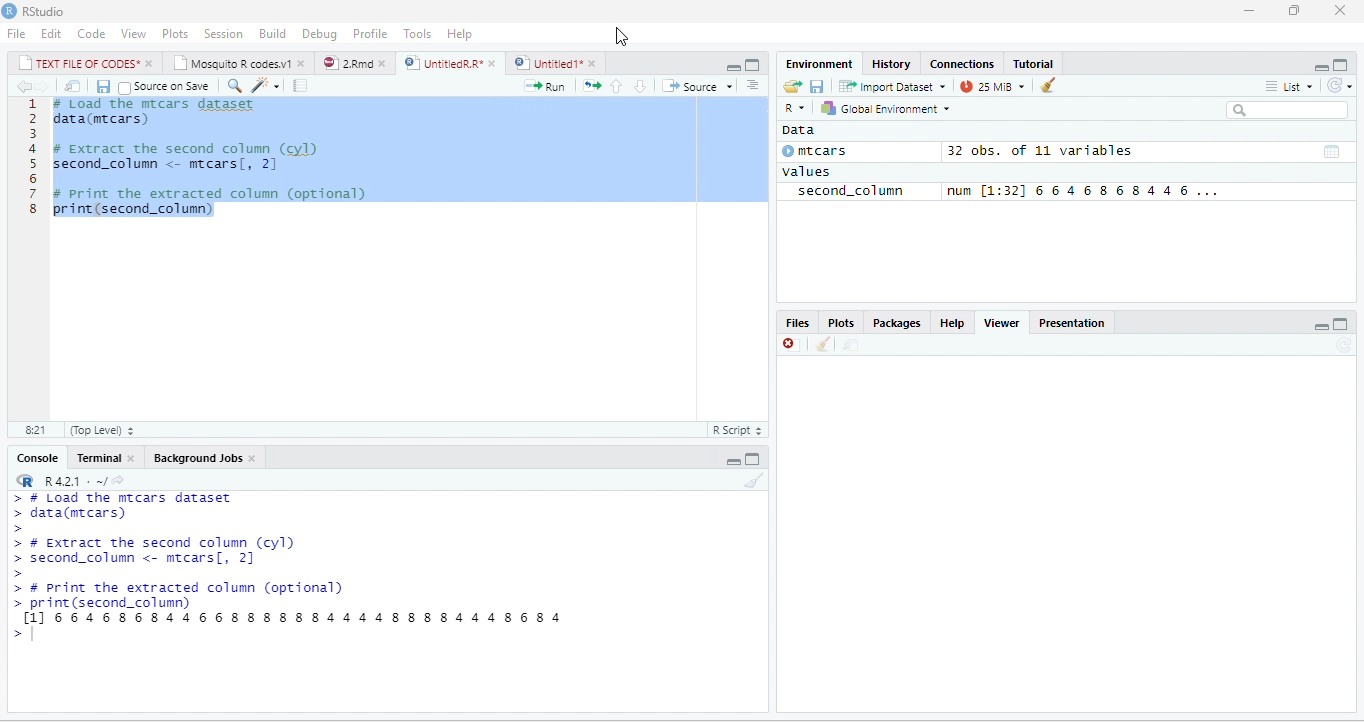  I want to click on compile report, so click(299, 85).